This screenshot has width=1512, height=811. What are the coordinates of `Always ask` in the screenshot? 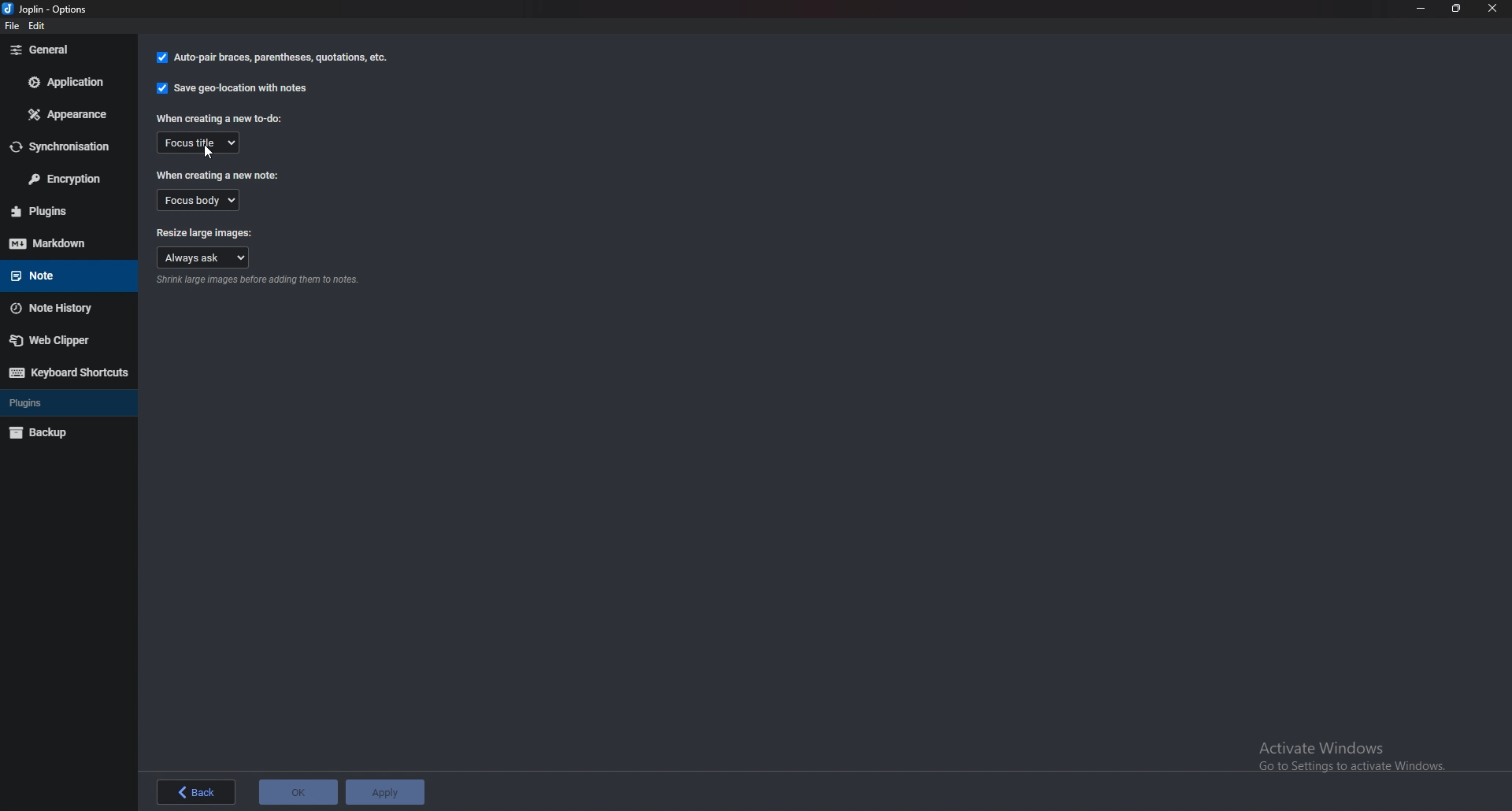 It's located at (205, 258).